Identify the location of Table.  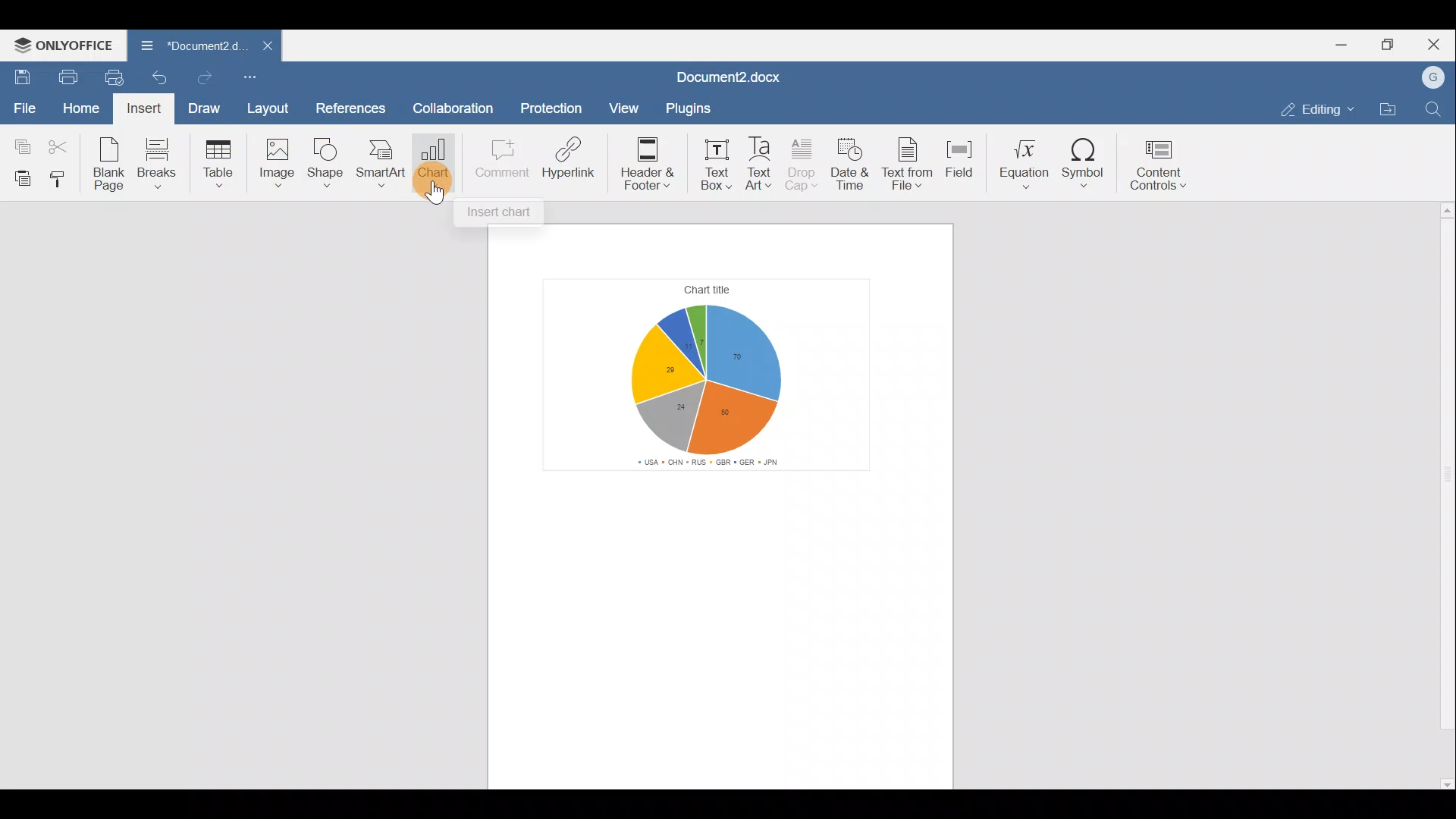
(222, 162).